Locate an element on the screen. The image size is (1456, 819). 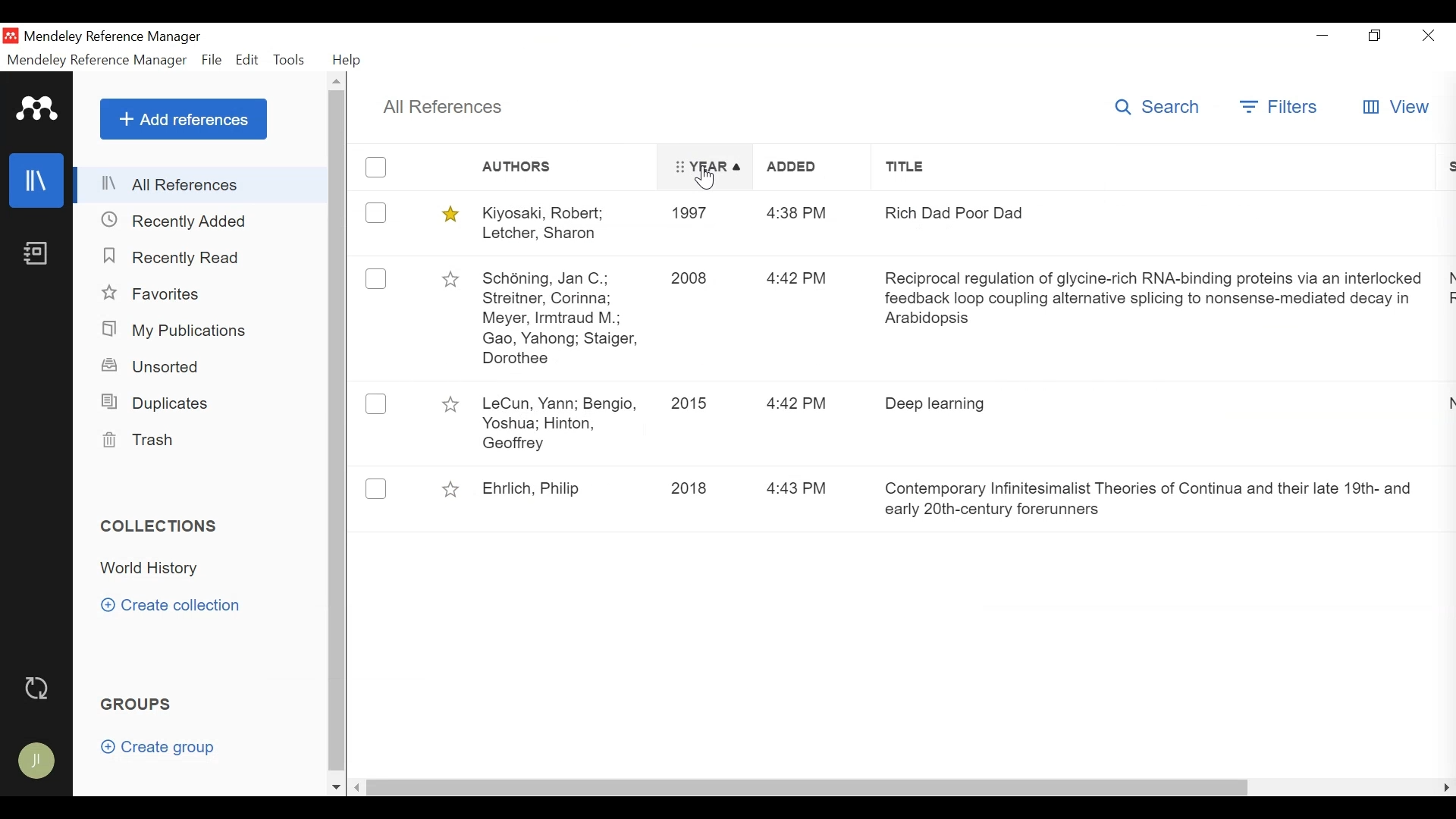
Collection is located at coordinates (152, 569).